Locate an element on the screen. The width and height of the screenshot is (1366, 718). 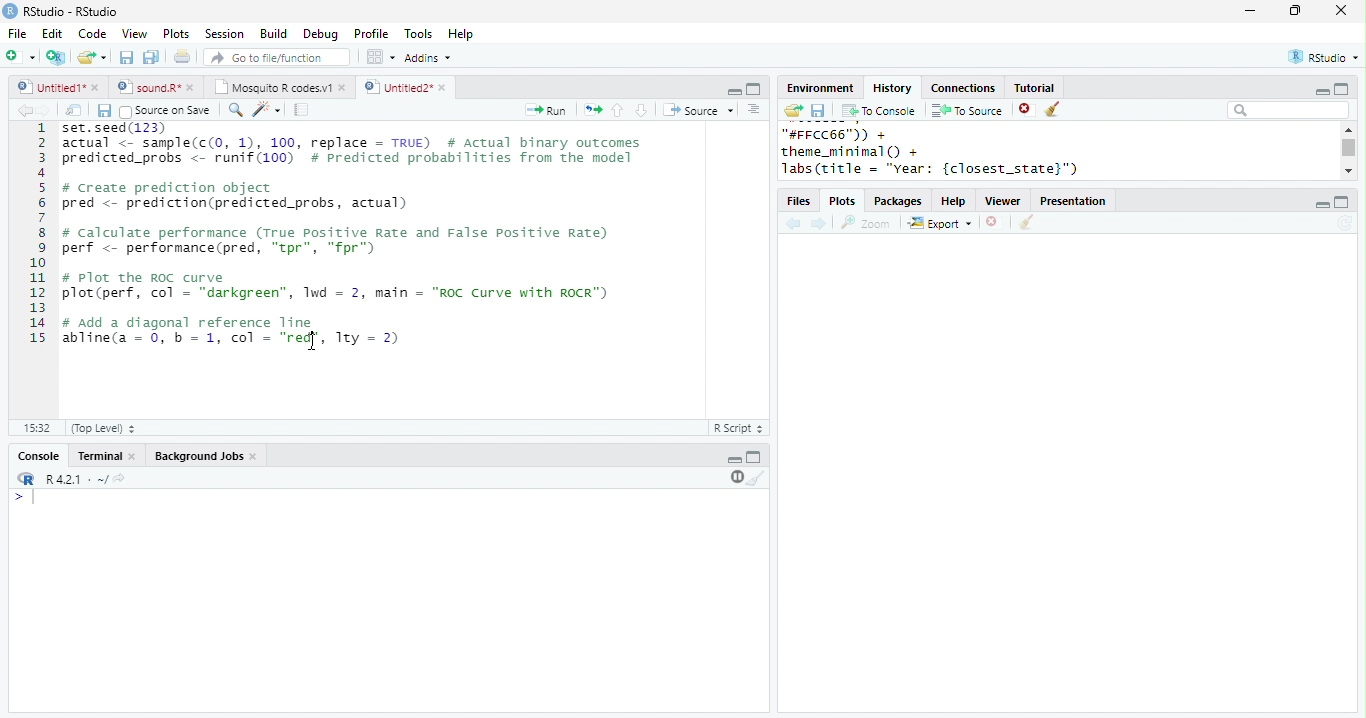
Source is located at coordinates (700, 110).